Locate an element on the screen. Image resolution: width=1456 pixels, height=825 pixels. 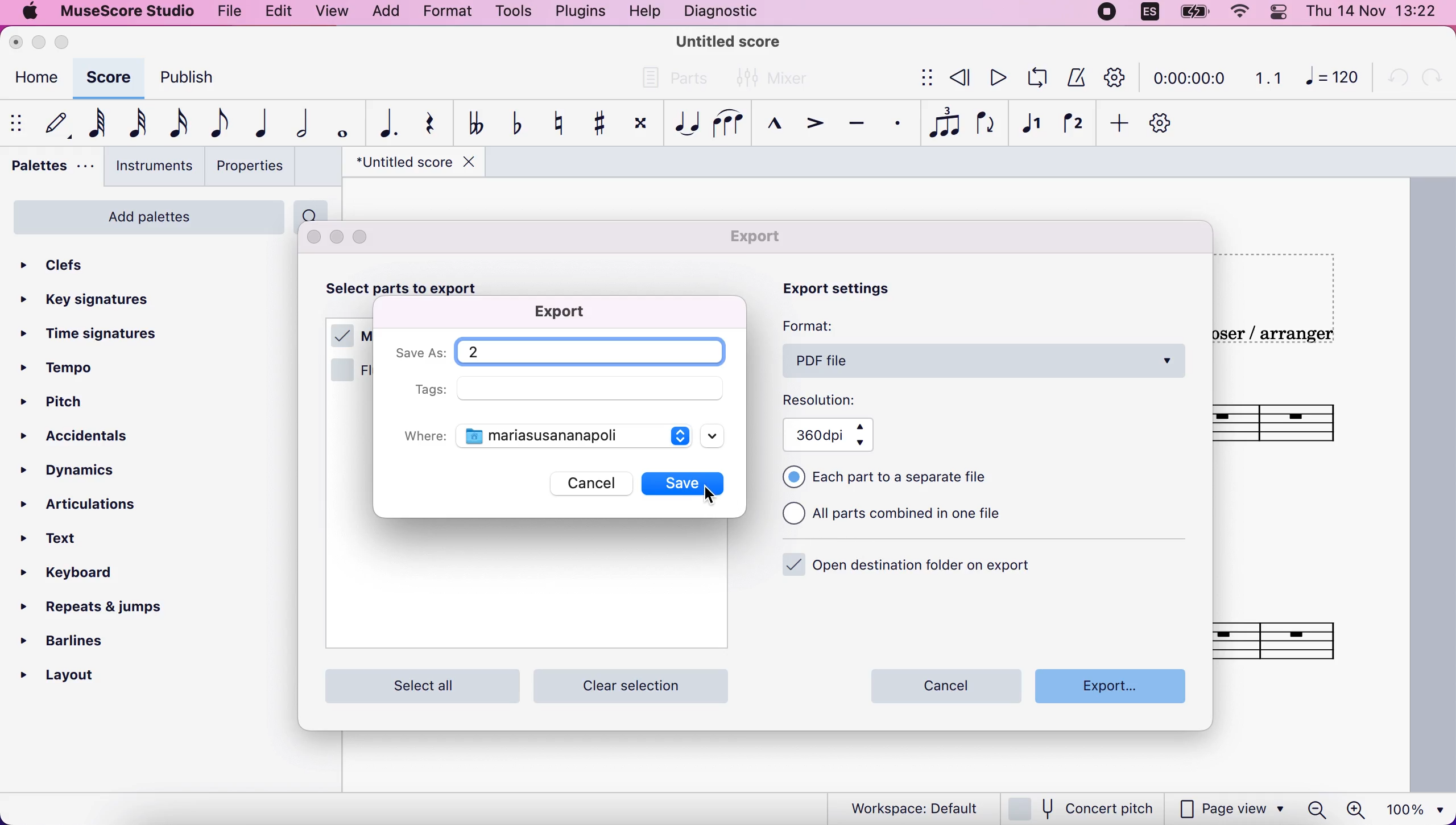
home is located at coordinates (36, 77).